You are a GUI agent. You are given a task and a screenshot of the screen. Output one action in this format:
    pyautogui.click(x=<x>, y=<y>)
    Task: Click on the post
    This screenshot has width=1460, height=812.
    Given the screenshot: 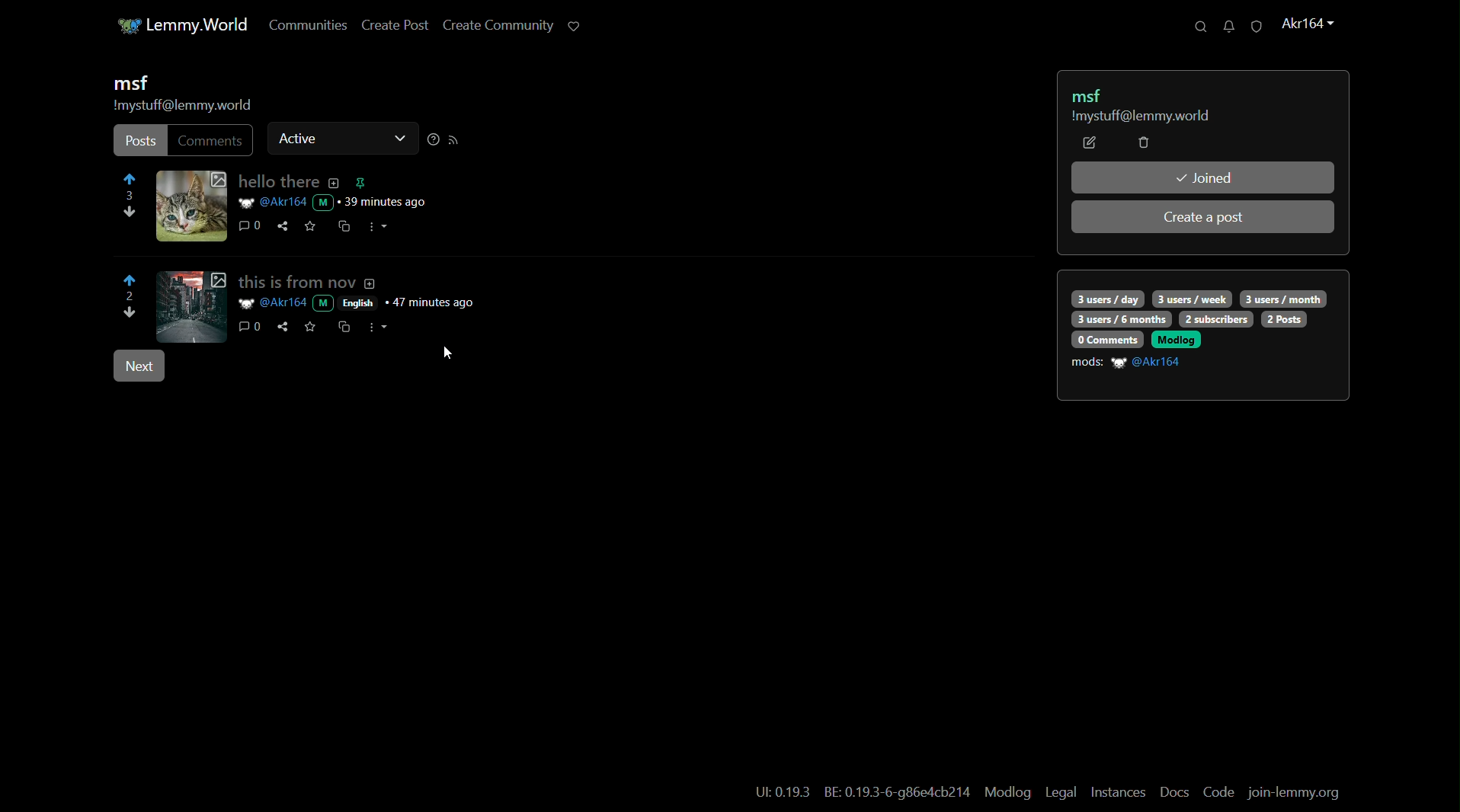 What is the action you would take?
    pyautogui.click(x=139, y=142)
    